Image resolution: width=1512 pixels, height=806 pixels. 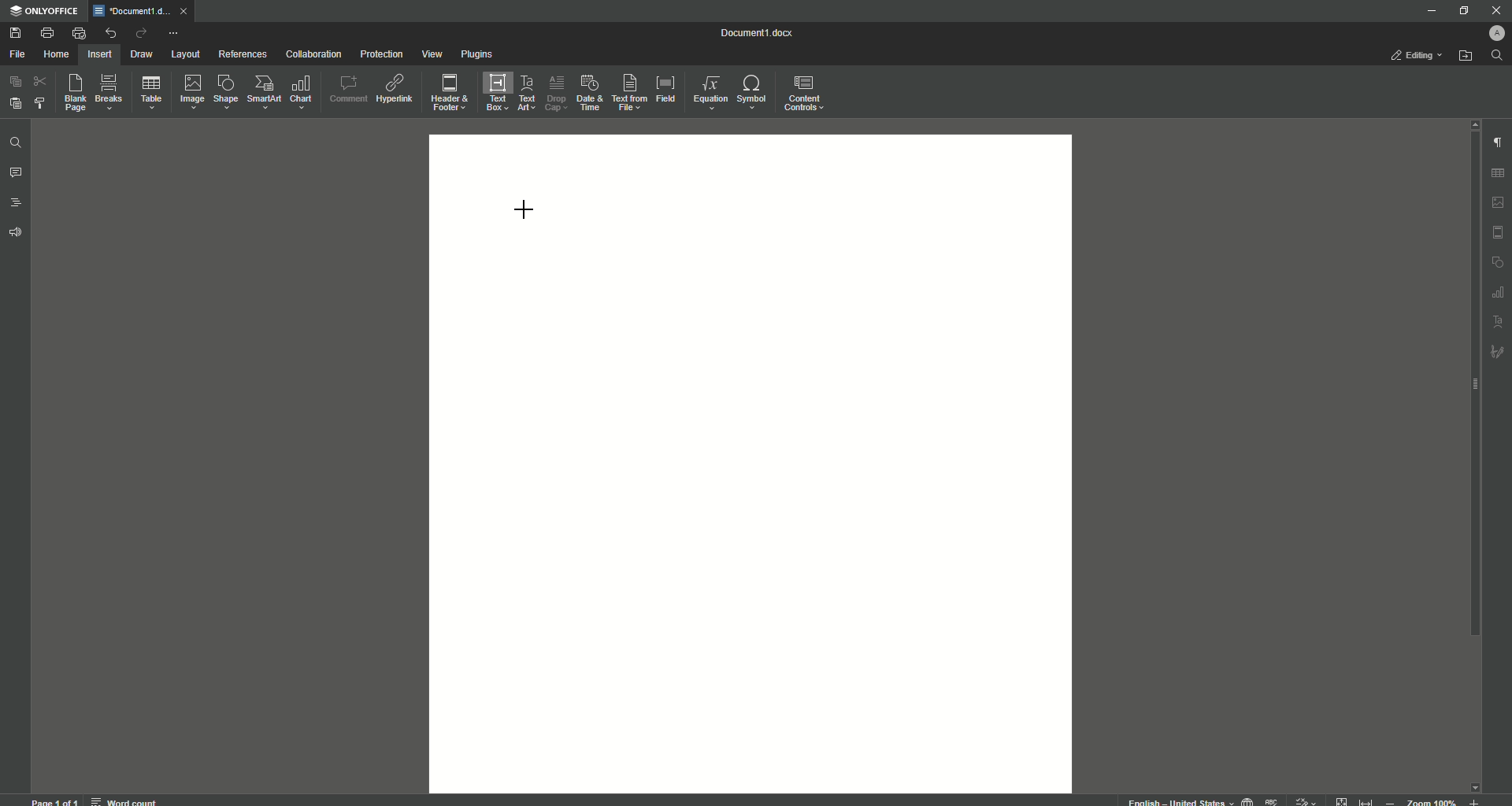 What do you see at coordinates (224, 91) in the screenshot?
I see `Shape` at bounding box center [224, 91].